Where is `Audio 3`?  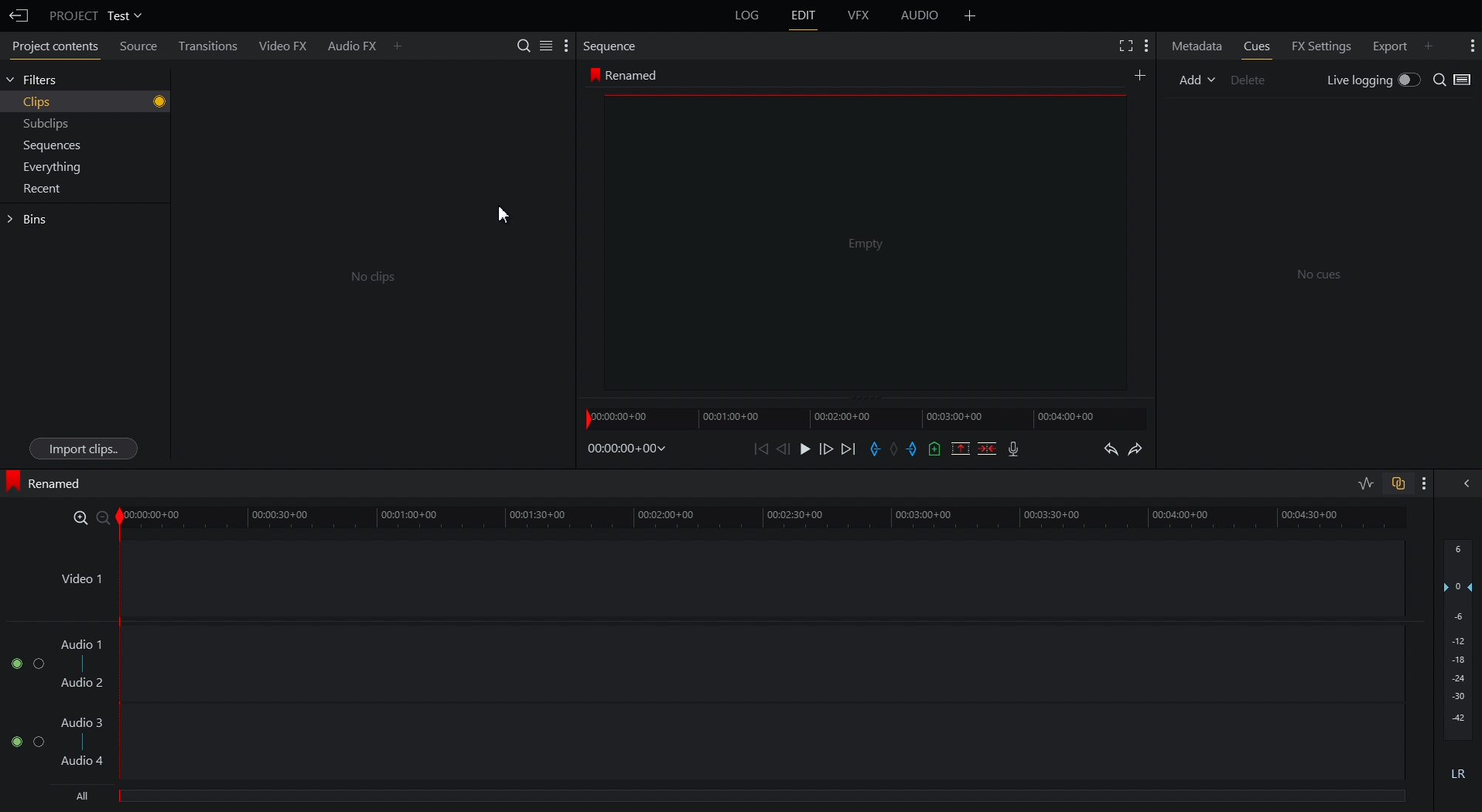 Audio 3 is located at coordinates (85, 722).